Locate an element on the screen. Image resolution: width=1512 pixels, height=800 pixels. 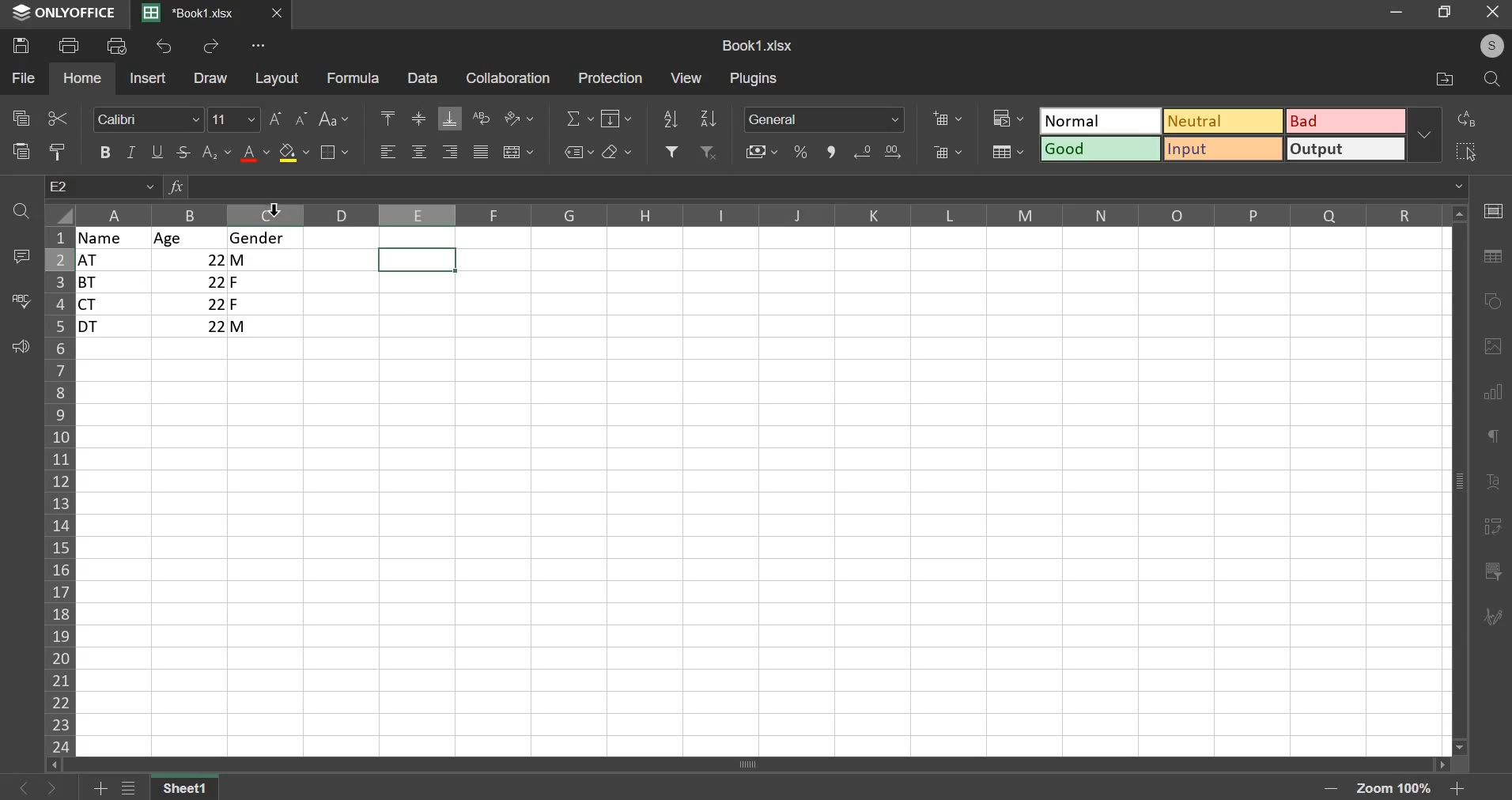
remove filter is located at coordinates (710, 152).